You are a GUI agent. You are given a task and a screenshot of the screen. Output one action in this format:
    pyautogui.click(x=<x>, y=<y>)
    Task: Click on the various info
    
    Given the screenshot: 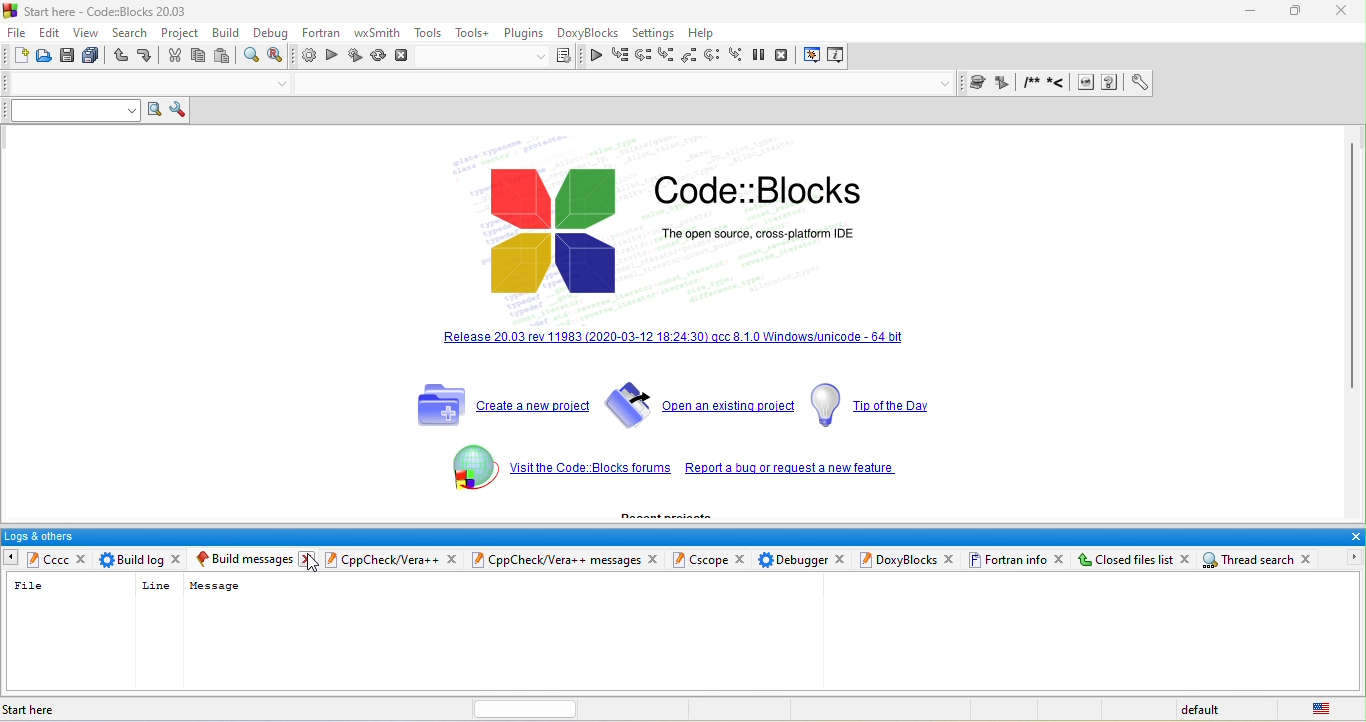 What is the action you would take?
    pyautogui.click(x=835, y=56)
    